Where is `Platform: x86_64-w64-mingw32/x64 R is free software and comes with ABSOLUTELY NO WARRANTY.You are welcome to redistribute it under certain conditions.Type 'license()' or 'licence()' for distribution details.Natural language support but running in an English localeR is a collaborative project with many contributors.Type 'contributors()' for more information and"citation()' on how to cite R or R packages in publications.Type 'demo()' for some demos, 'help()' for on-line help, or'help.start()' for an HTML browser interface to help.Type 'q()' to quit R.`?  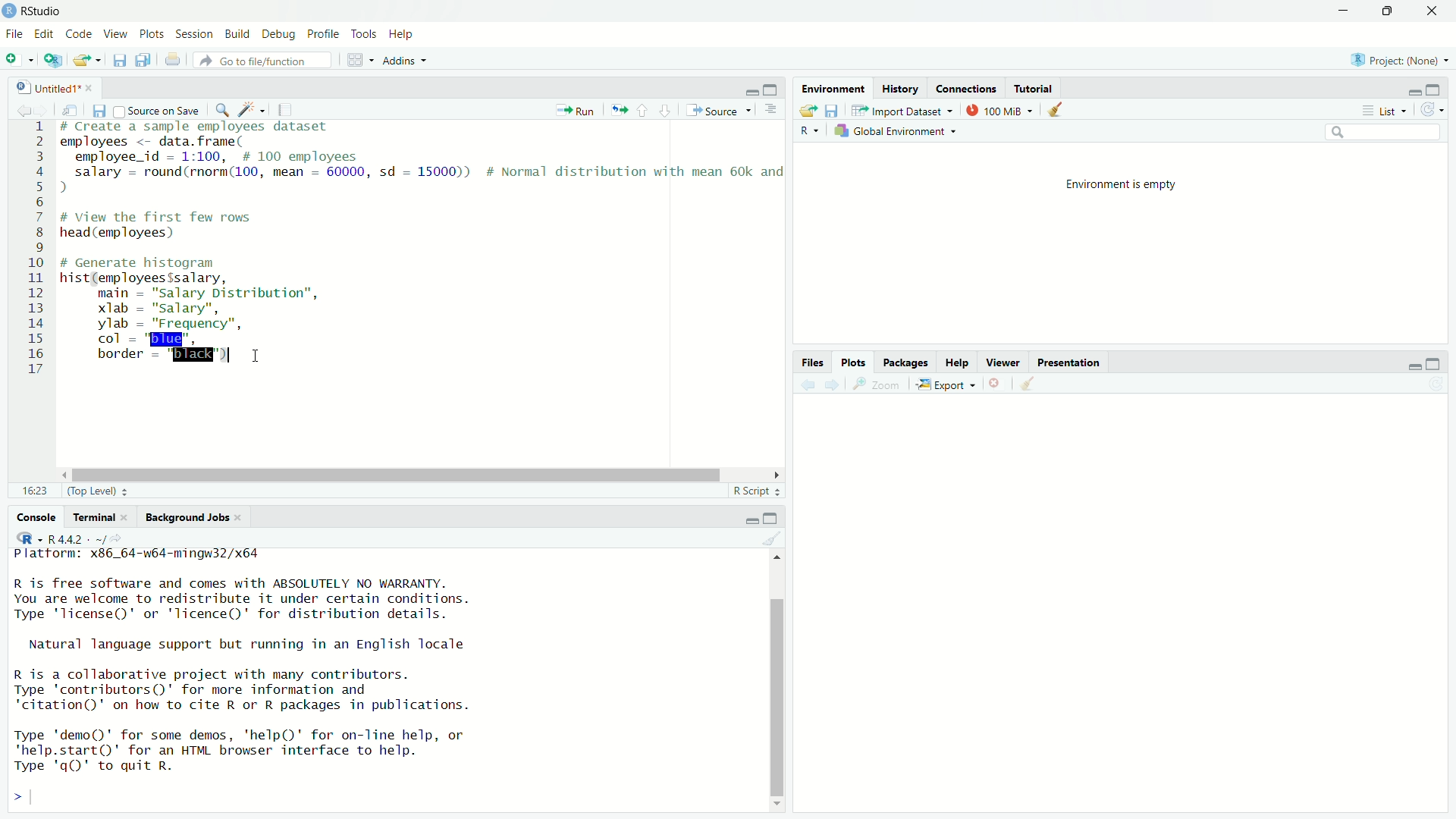 Platform: x86_64-w64-mingw32/x64 R is free software and comes with ABSOLUTELY NO WARRANTY.You are welcome to redistribute it under certain conditions.Type 'license()' or 'licence()' for distribution details.Natural language support but running in an English localeR is a collaborative project with many contributors.Type 'contributors()' for more information and"citation()' on how to cite R or R packages in publications.Type 'demo()' for some demos, 'help()' for on-line help, or'help.start()' for an HTML browser interface to help.Type 'q()' to quit R. is located at coordinates (275, 666).